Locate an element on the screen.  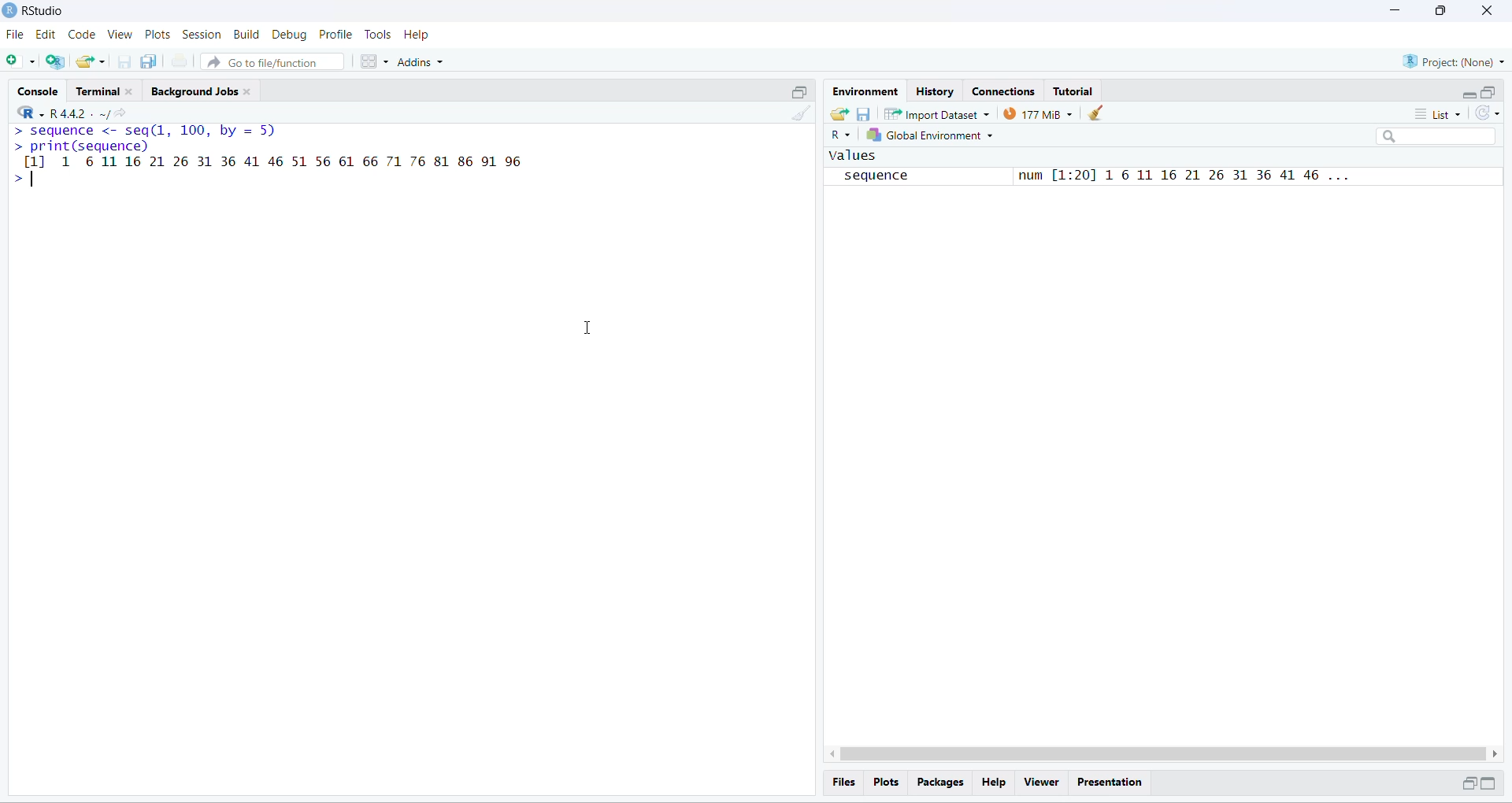
Connections  is located at coordinates (1008, 92).